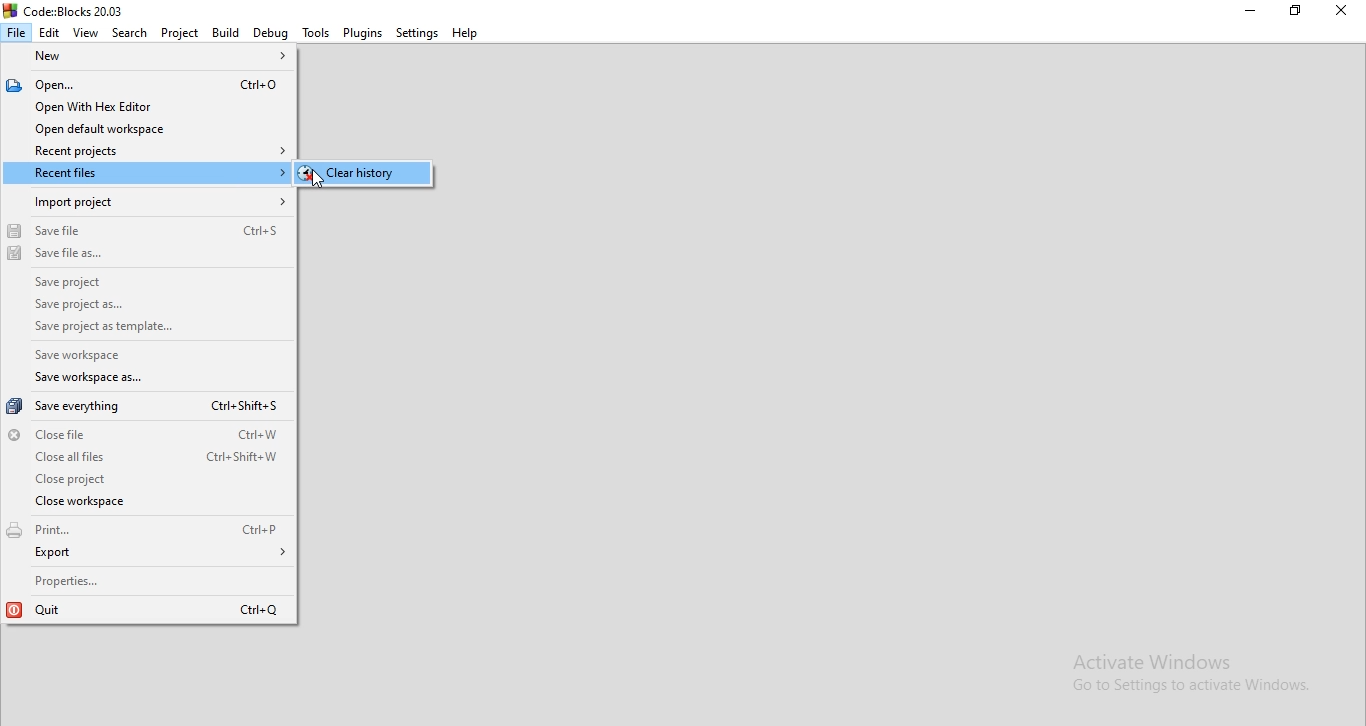 This screenshot has height=726, width=1366. I want to click on Debug , so click(269, 34).